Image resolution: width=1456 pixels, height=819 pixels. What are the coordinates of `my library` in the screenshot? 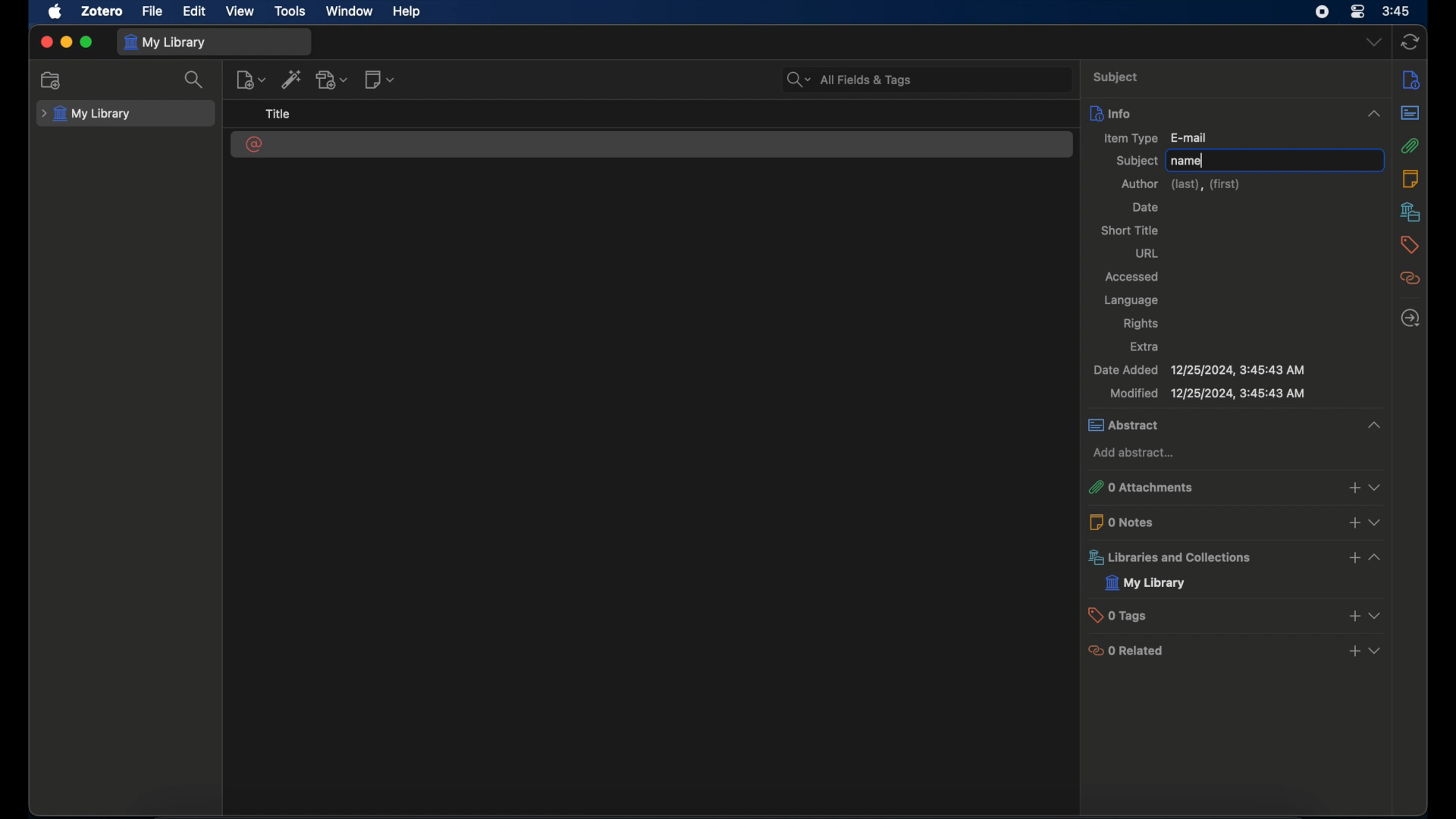 It's located at (1146, 583).